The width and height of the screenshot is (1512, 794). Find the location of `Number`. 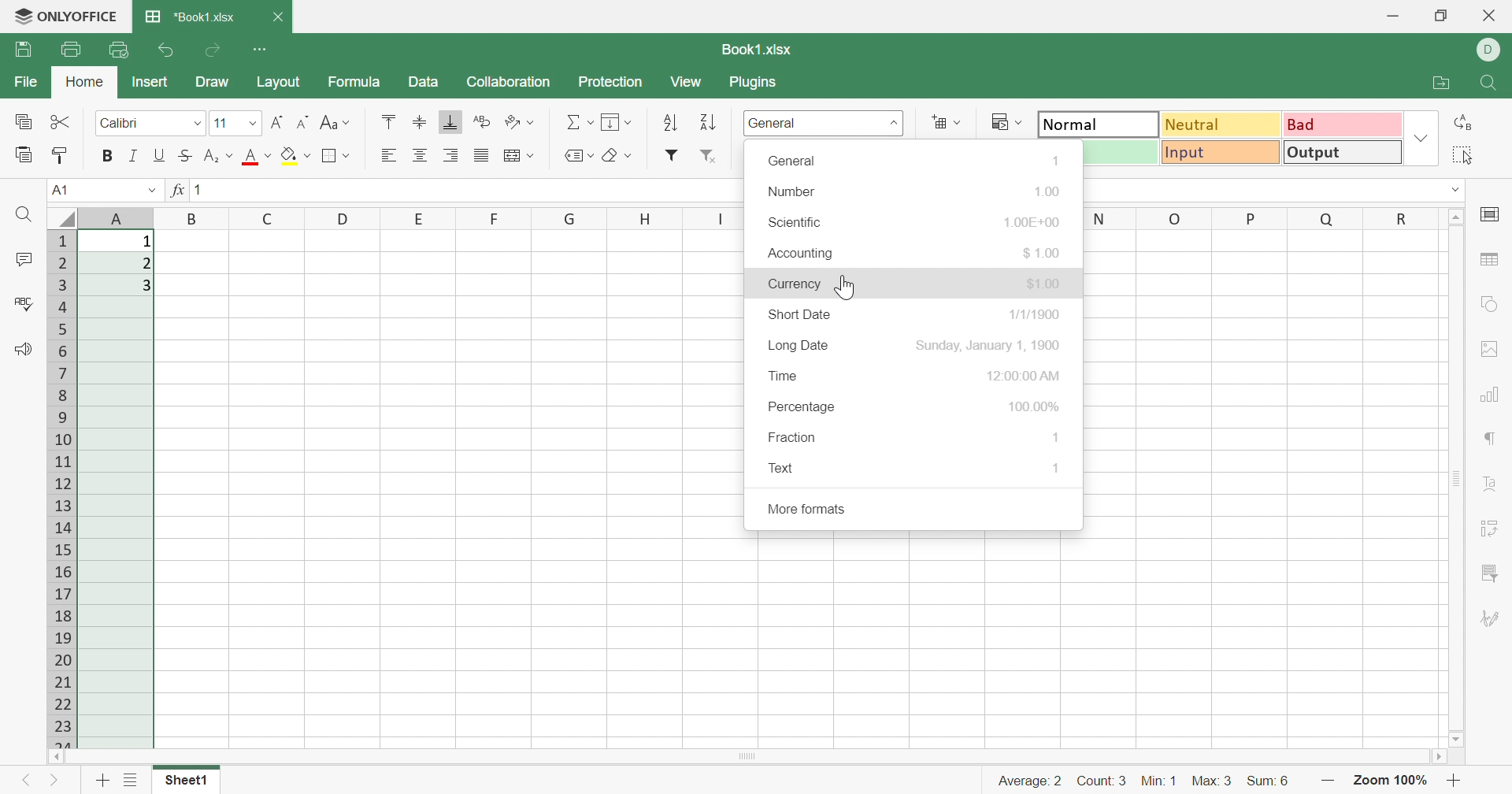

Number is located at coordinates (795, 193).